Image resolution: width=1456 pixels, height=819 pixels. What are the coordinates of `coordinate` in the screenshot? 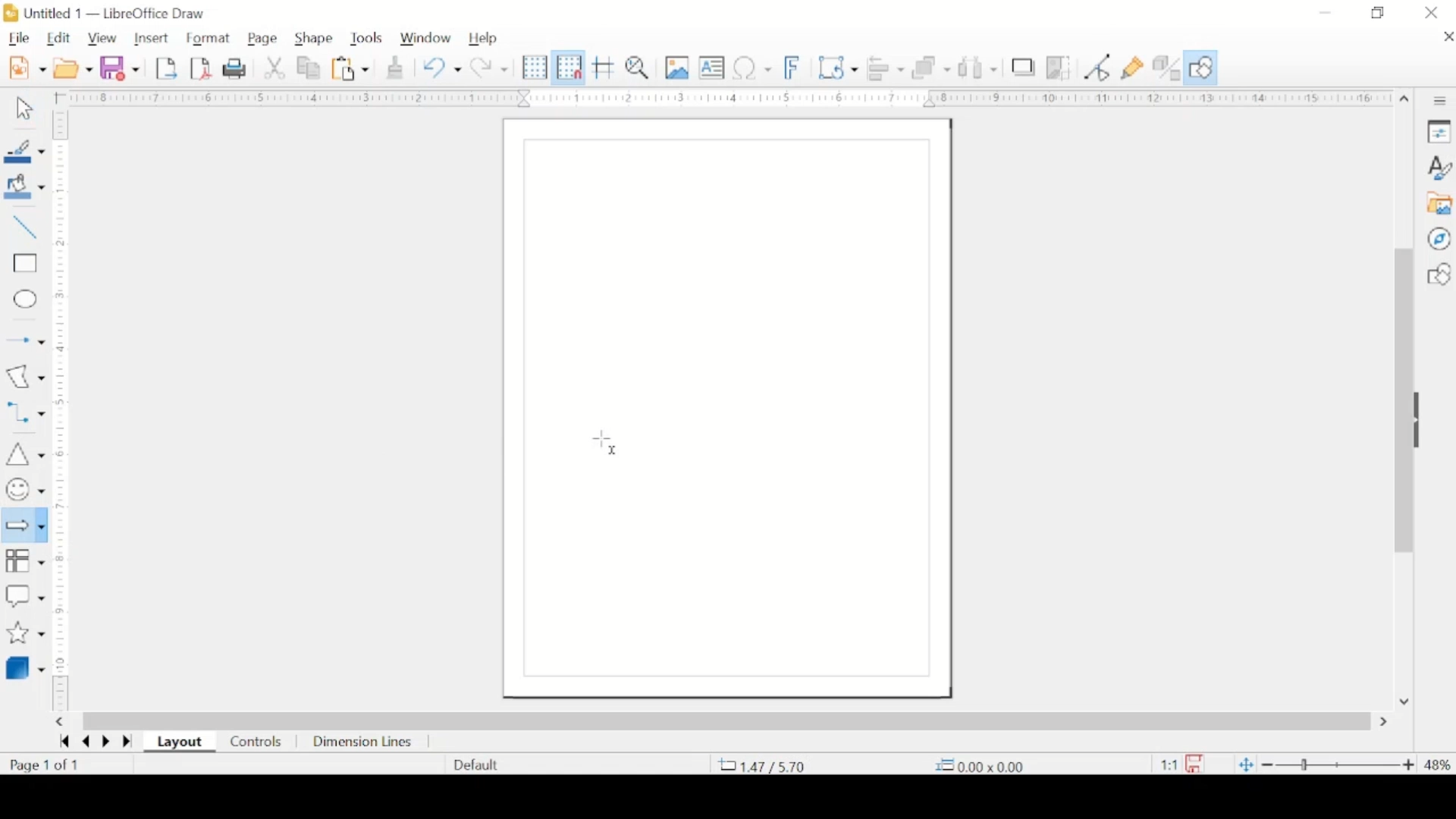 It's located at (766, 767).